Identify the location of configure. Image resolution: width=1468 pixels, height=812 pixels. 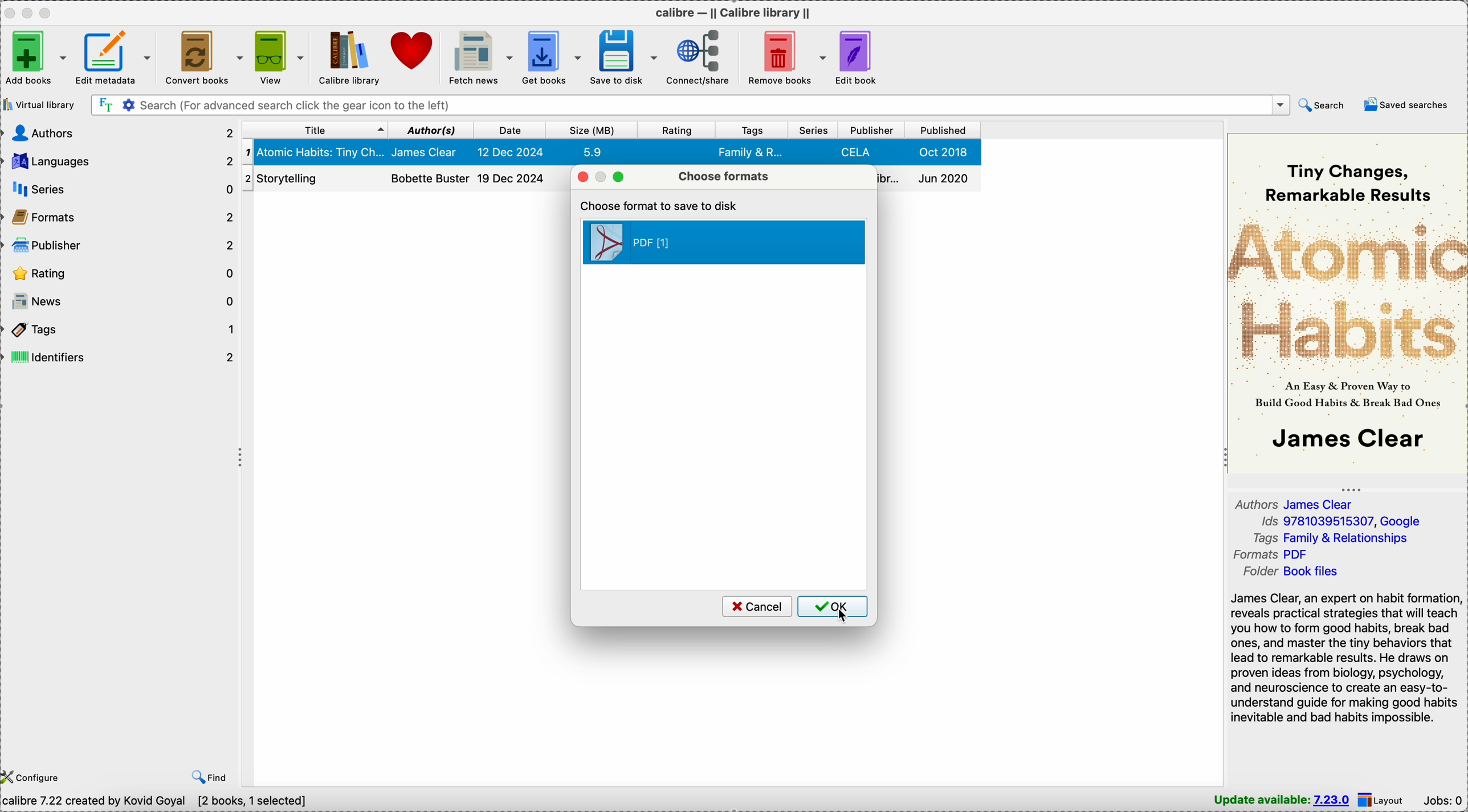
(34, 776).